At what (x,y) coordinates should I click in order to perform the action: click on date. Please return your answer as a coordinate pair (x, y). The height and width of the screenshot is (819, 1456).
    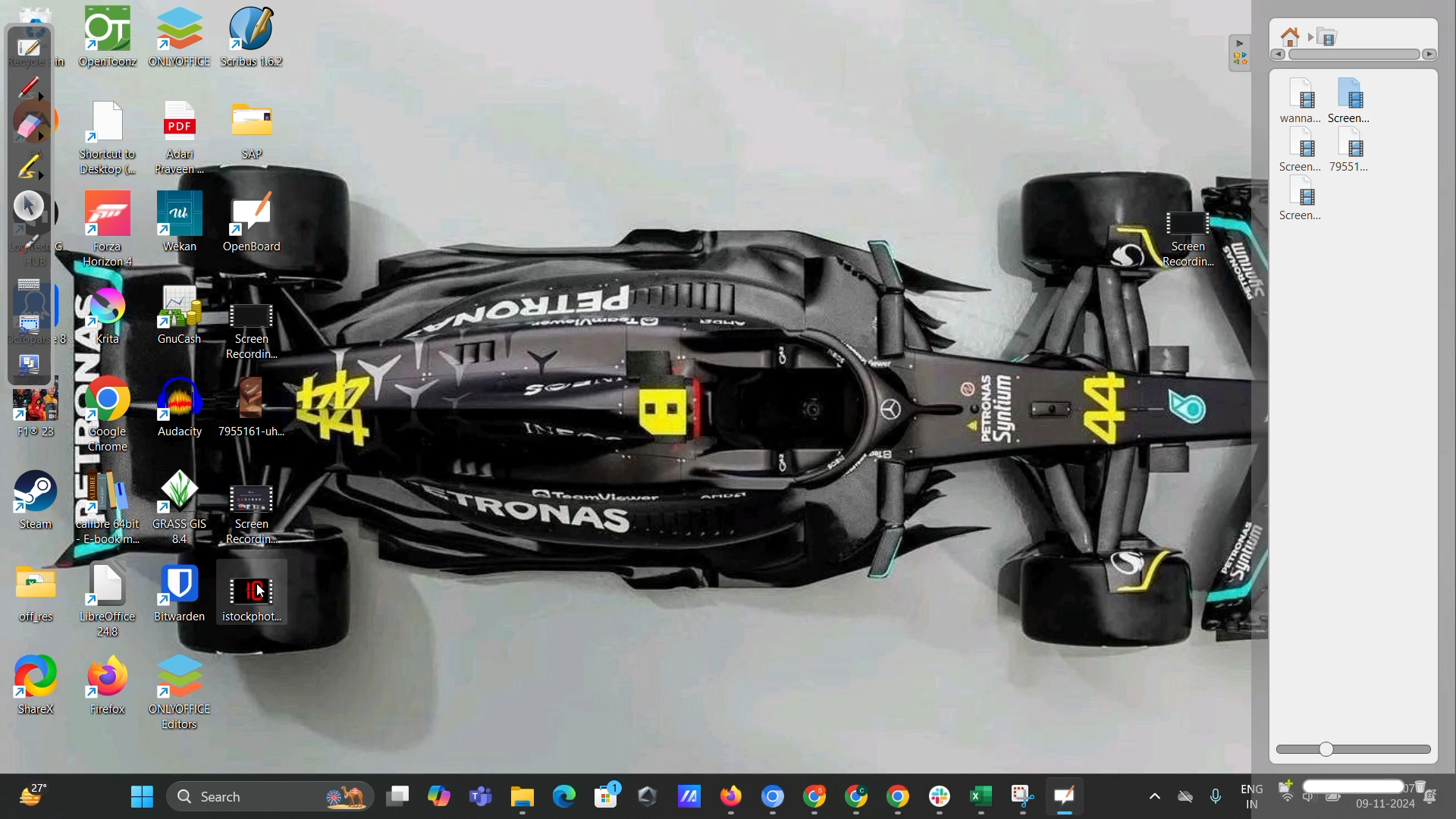
    Looking at the image, I should click on (1381, 808).